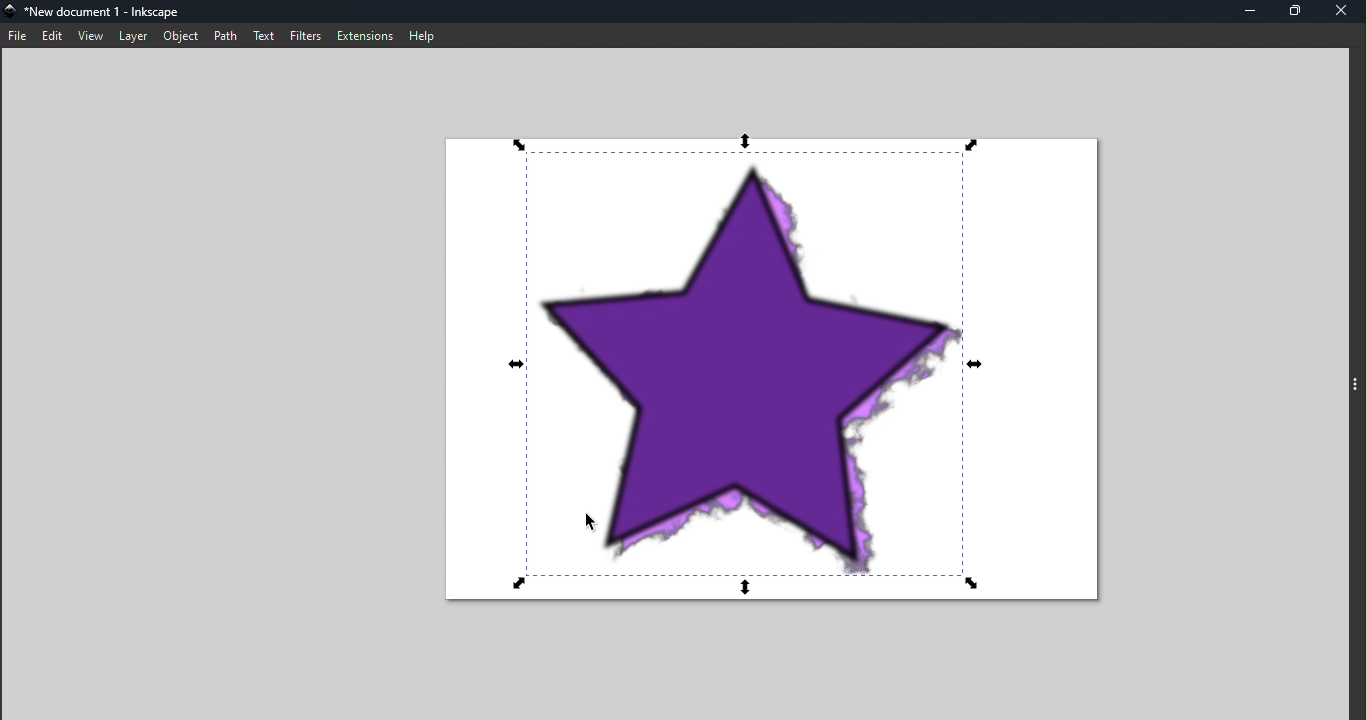 The width and height of the screenshot is (1366, 720). Describe the element at coordinates (97, 12) in the screenshot. I see `File name` at that location.